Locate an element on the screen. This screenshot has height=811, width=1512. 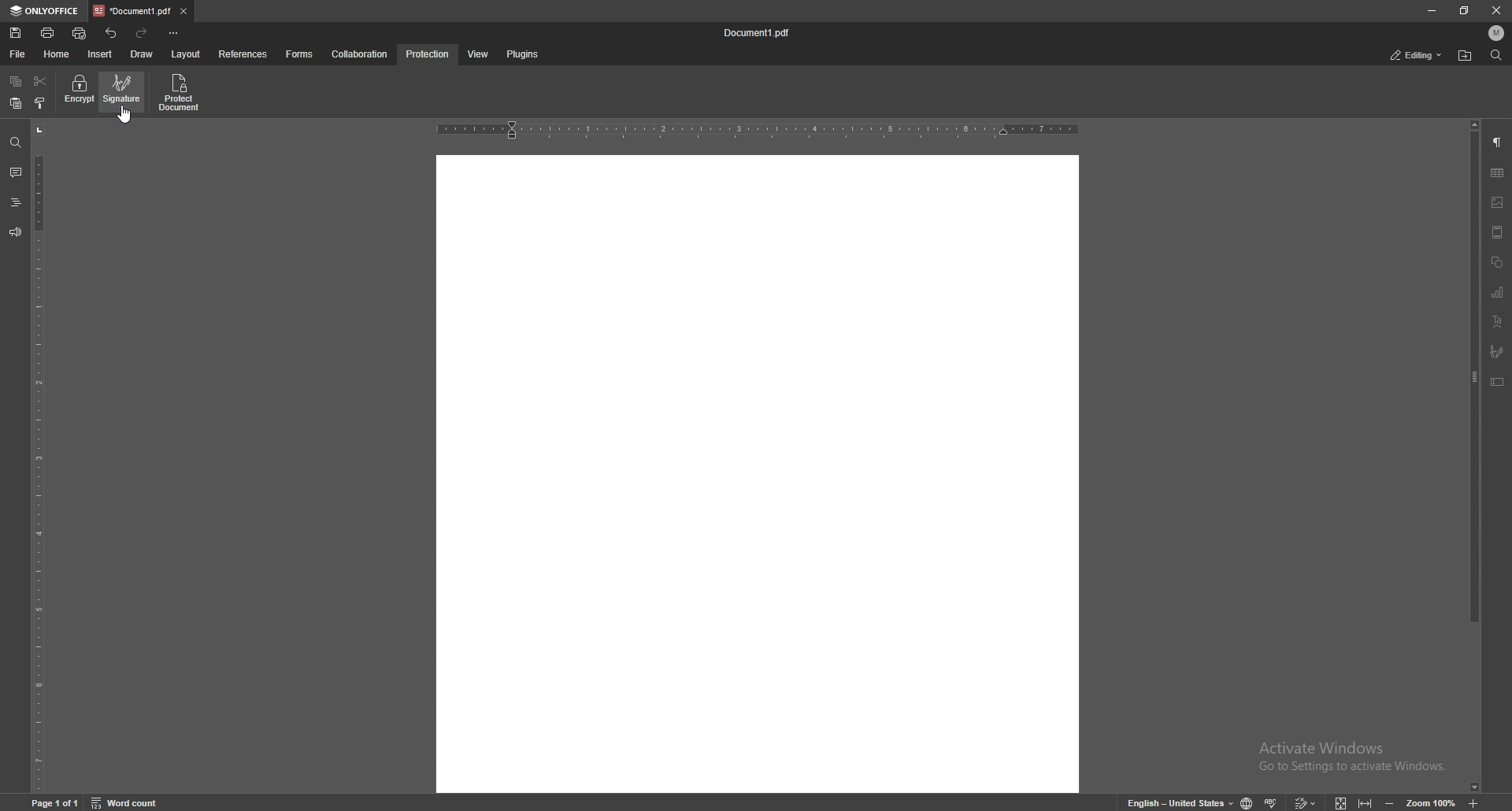
close tab is located at coordinates (184, 10).